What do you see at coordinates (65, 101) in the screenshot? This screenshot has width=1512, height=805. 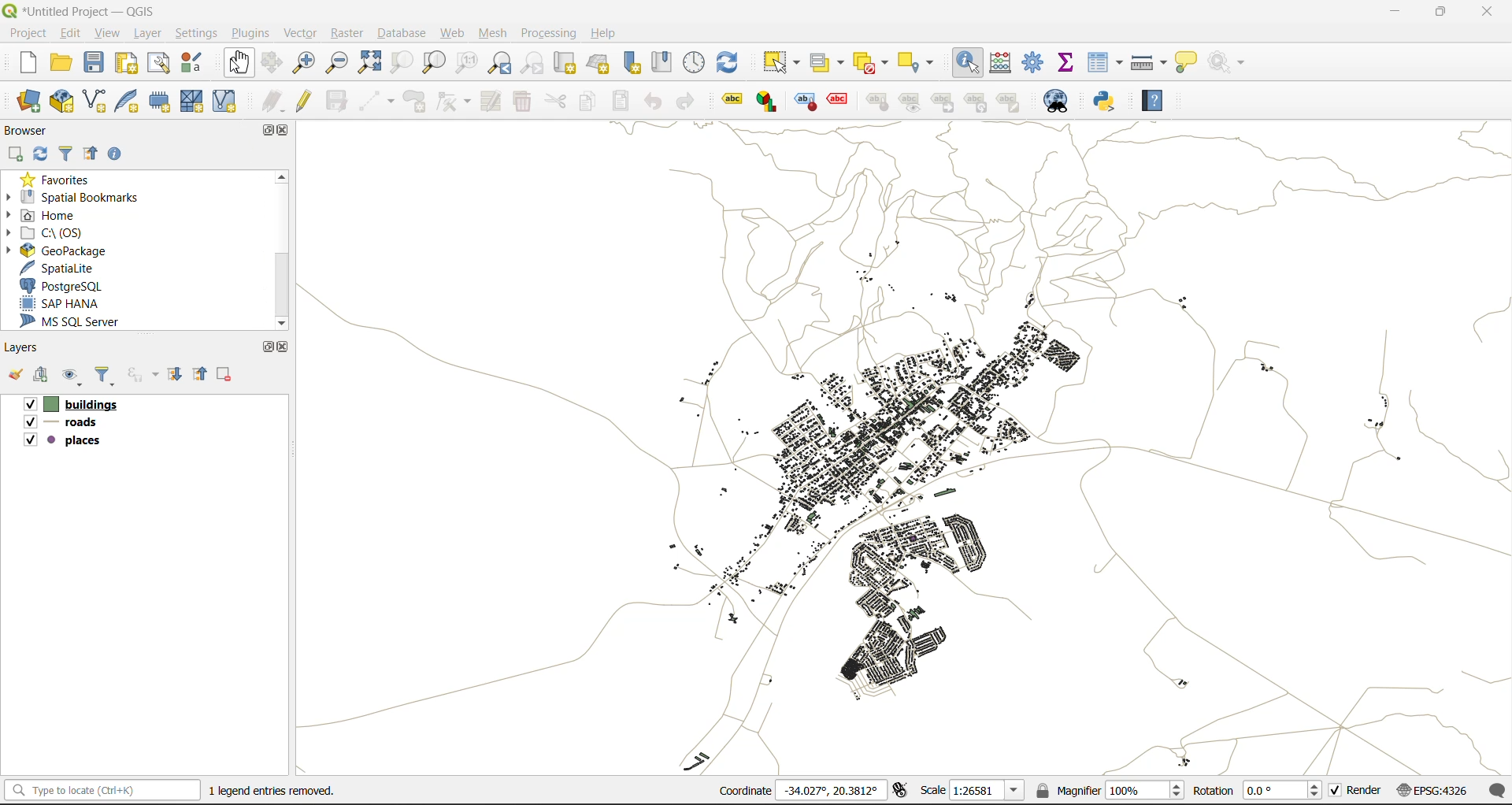 I see `add geopackage` at bounding box center [65, 101].